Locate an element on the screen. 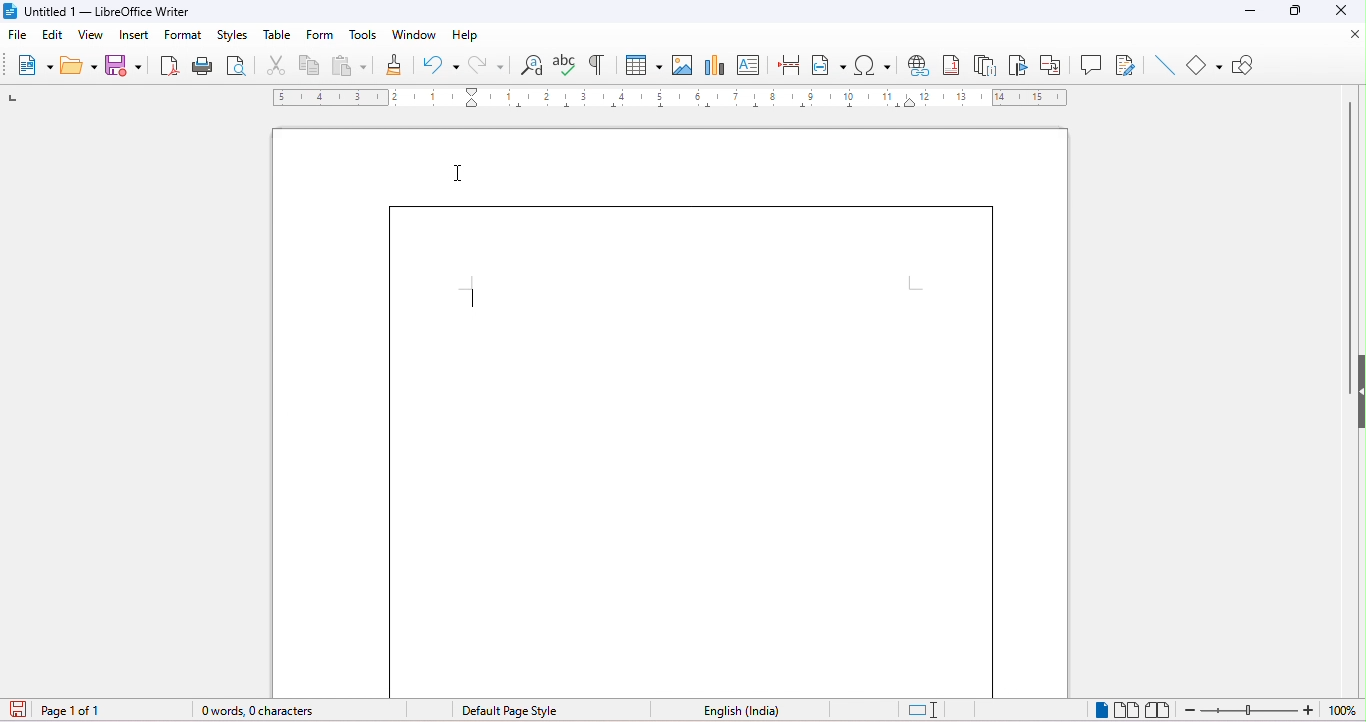  window is located at coordinates (413, 35).